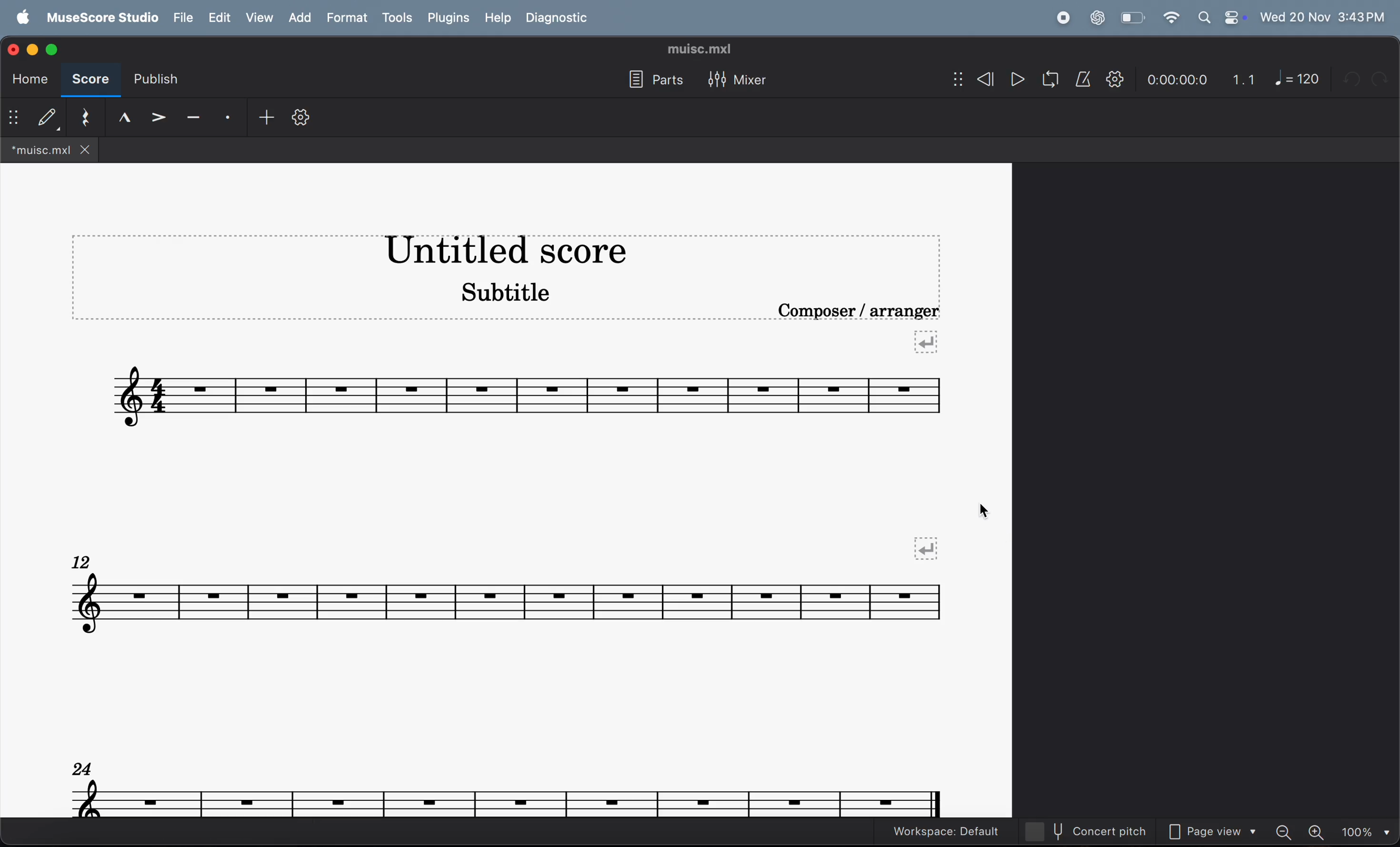 The image size is (1400, 847). I want to click on format, so click(348, 16).